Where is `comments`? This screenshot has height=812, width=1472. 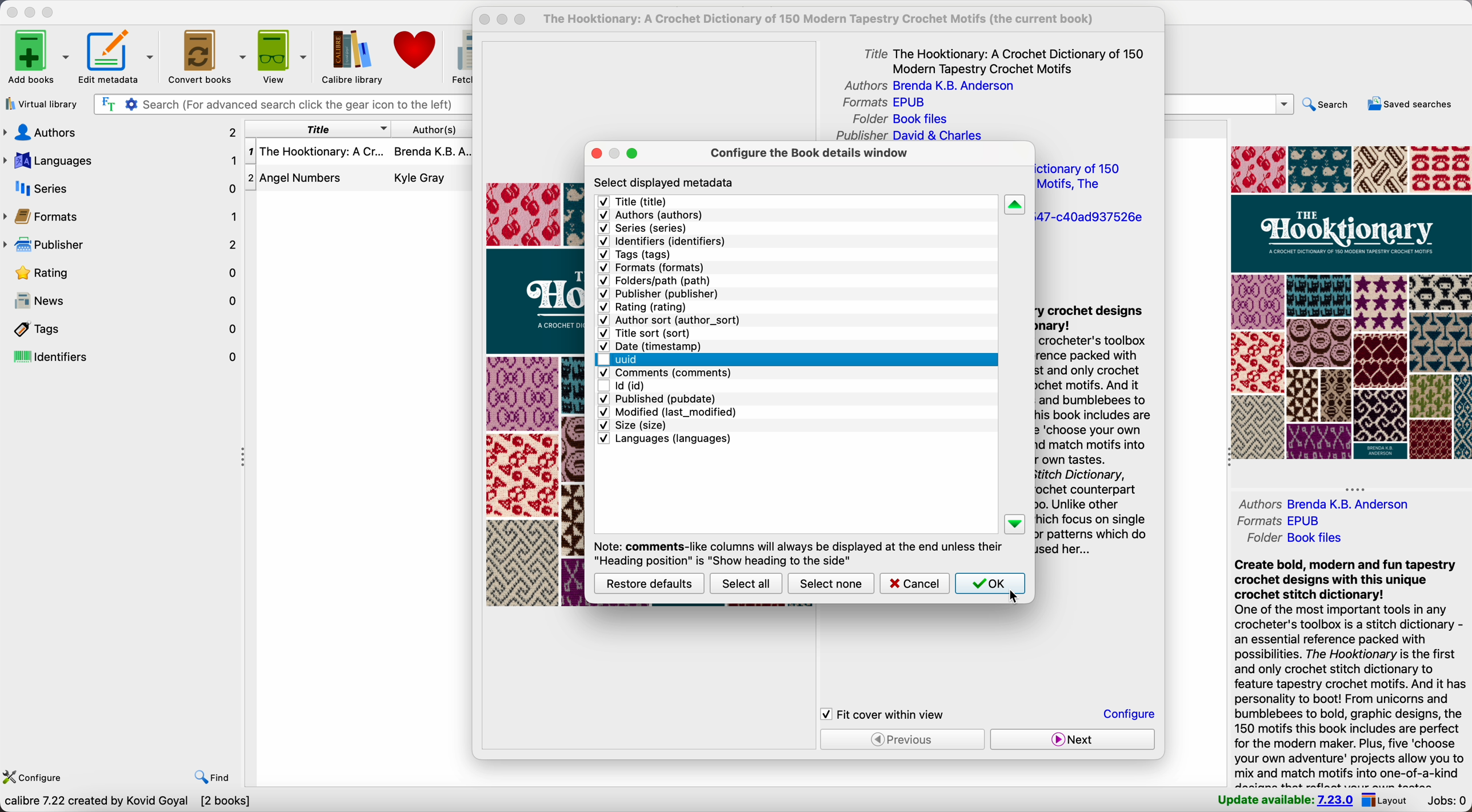 comments is located at coordinates (669, 374).